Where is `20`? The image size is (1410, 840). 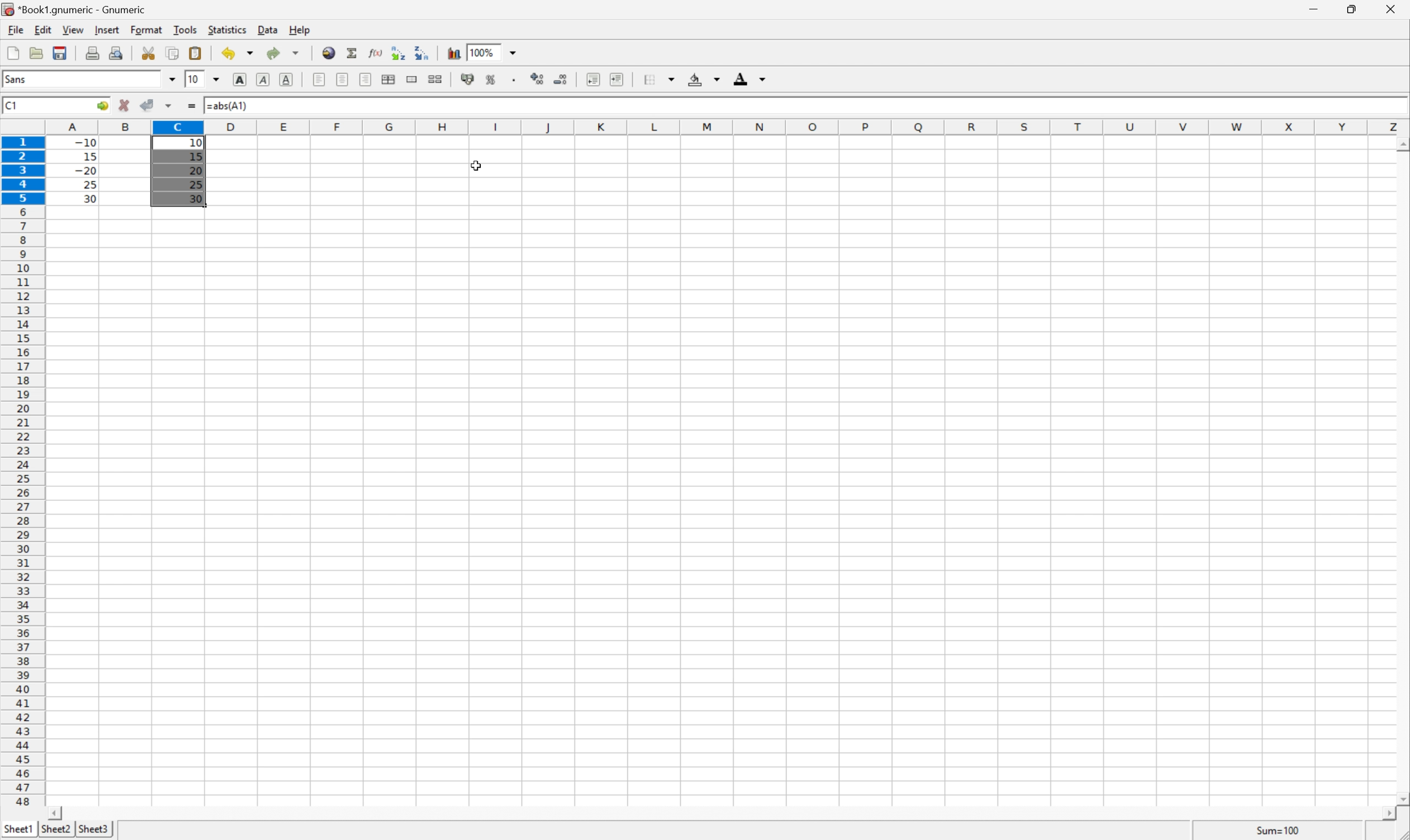
20 is located at coordinates (196, 170).